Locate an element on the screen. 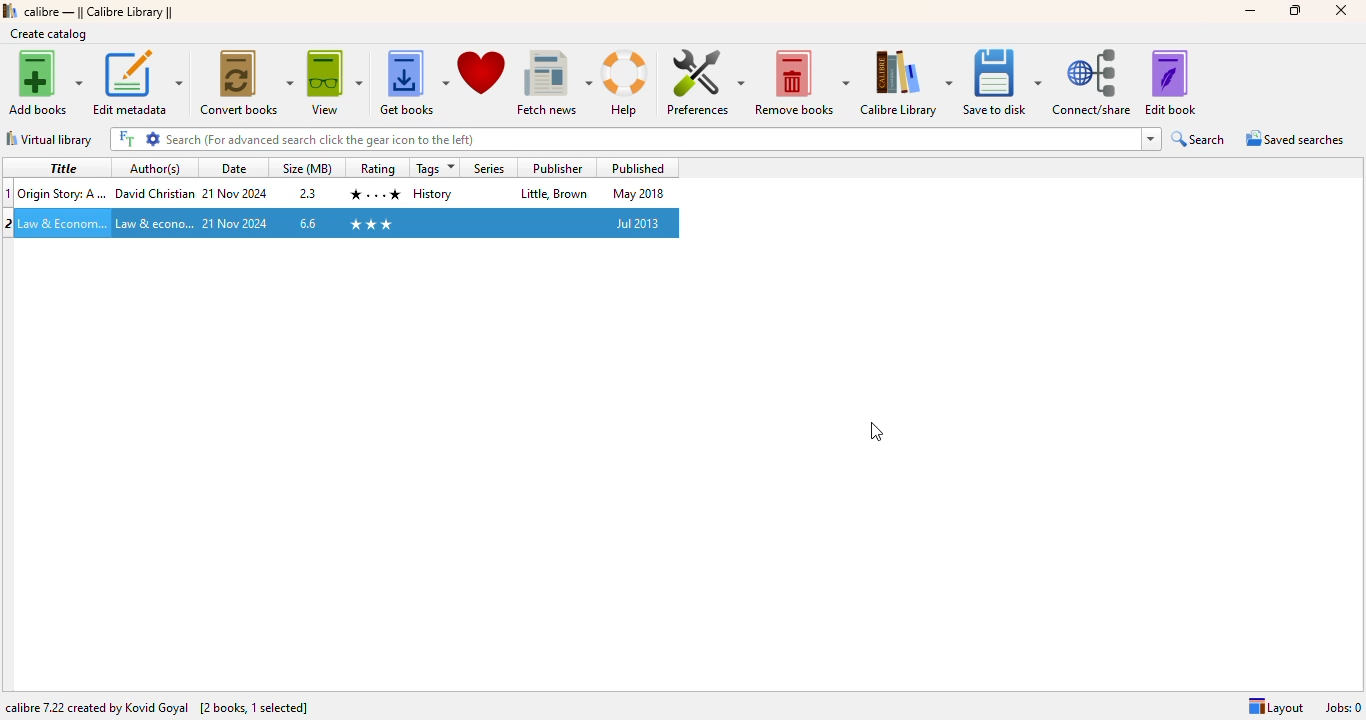  date is located at coordinates (236, 194).